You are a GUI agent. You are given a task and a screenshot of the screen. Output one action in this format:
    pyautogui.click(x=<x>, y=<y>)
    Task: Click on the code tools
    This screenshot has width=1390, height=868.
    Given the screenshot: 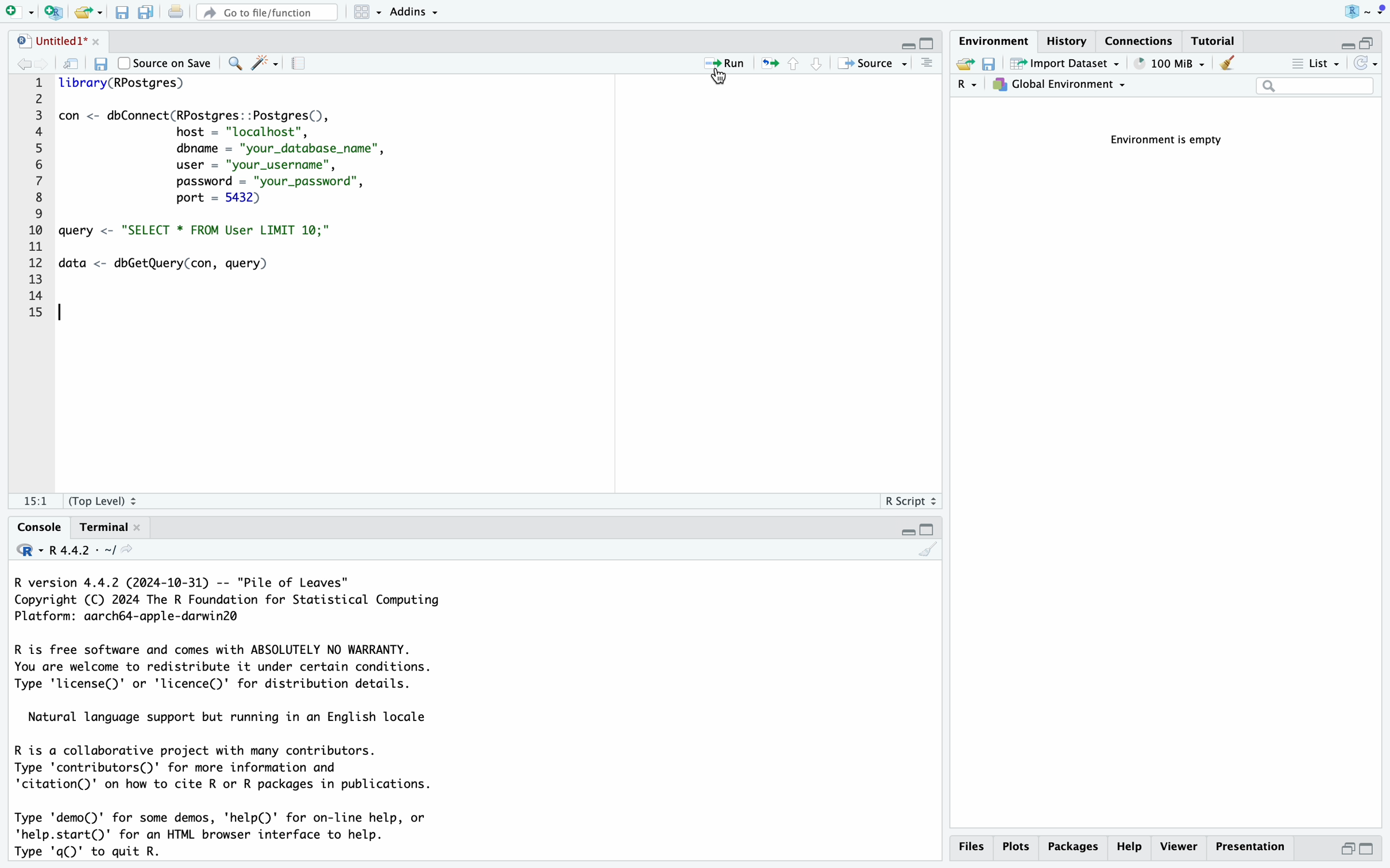 What is the action you would take?
    pyautogui.click(x=266, y=62)
    